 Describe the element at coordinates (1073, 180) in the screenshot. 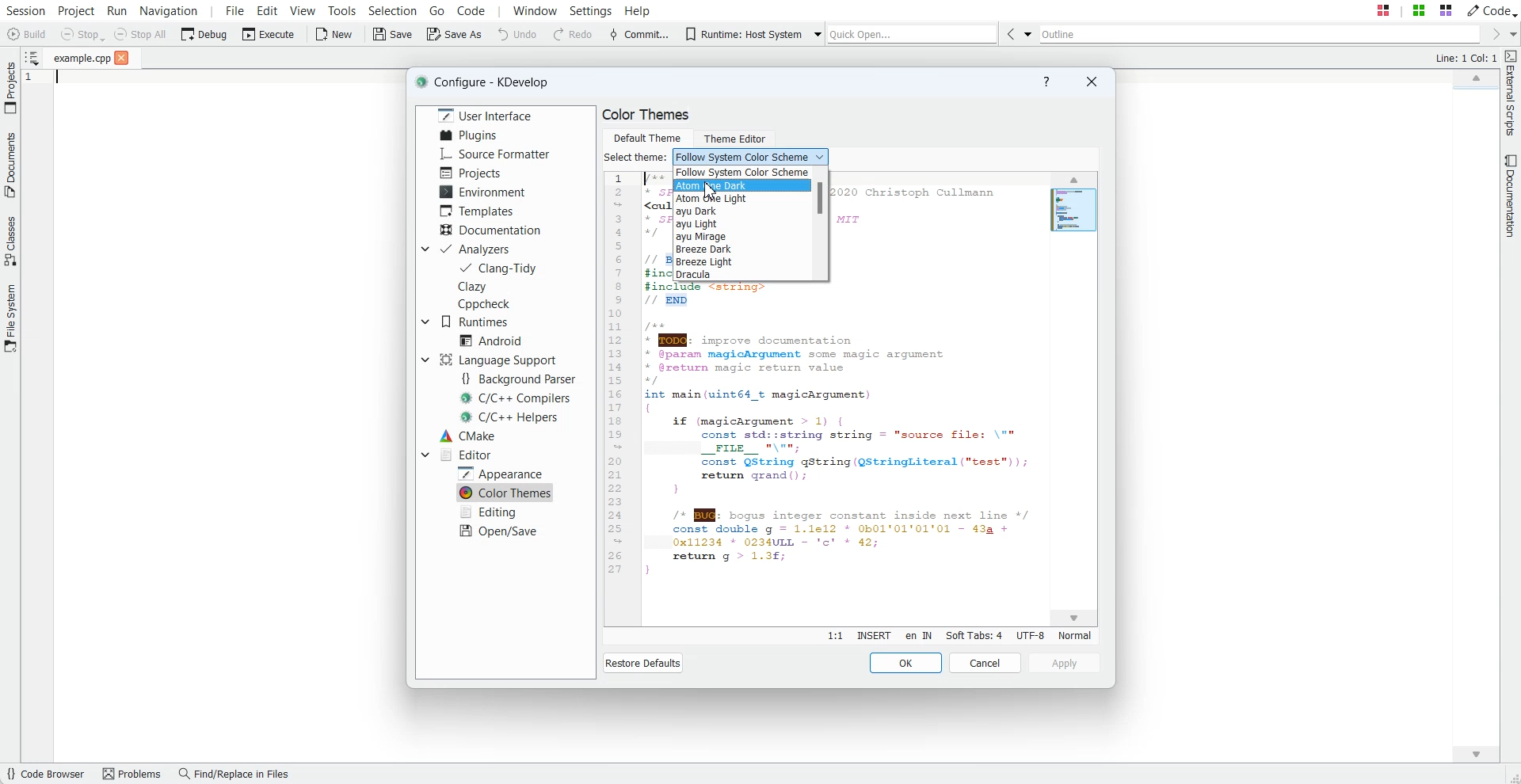

I see `Cursor` at that location.